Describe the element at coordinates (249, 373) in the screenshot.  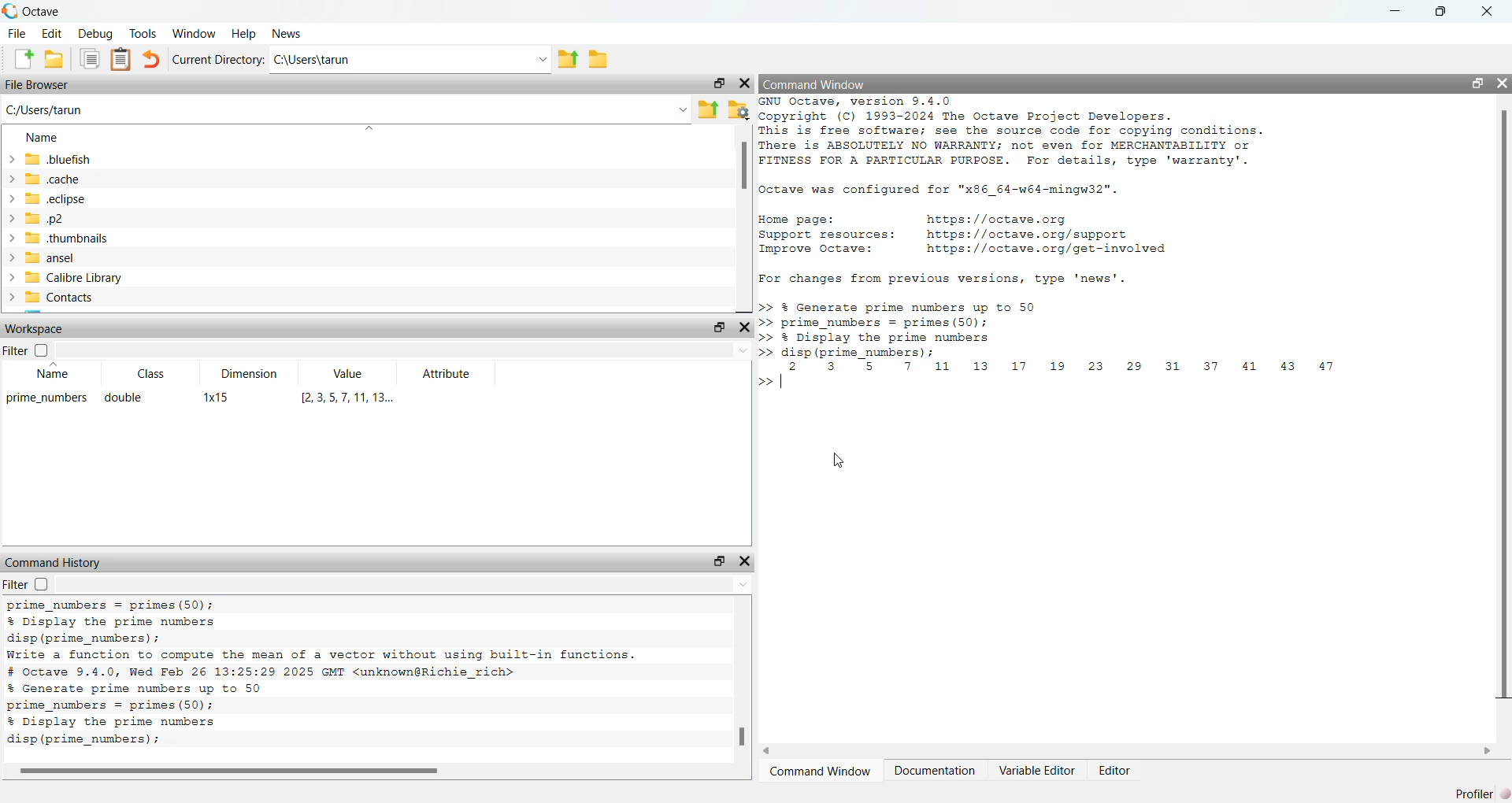
I see `dimension` at that location.